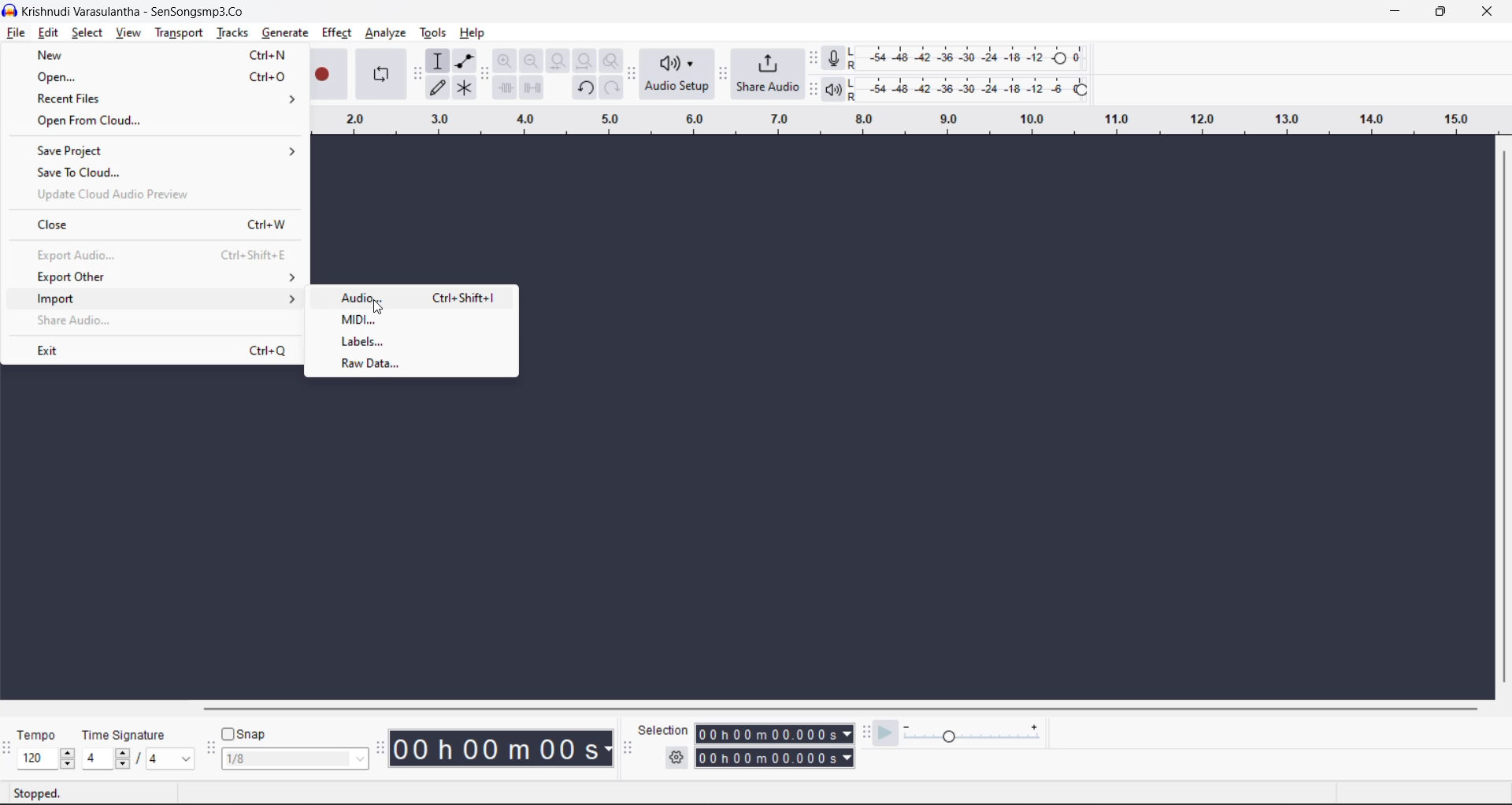 The width and height of the screenshot is (1512, 805). I want to click on playback speed, so click(973, 731).